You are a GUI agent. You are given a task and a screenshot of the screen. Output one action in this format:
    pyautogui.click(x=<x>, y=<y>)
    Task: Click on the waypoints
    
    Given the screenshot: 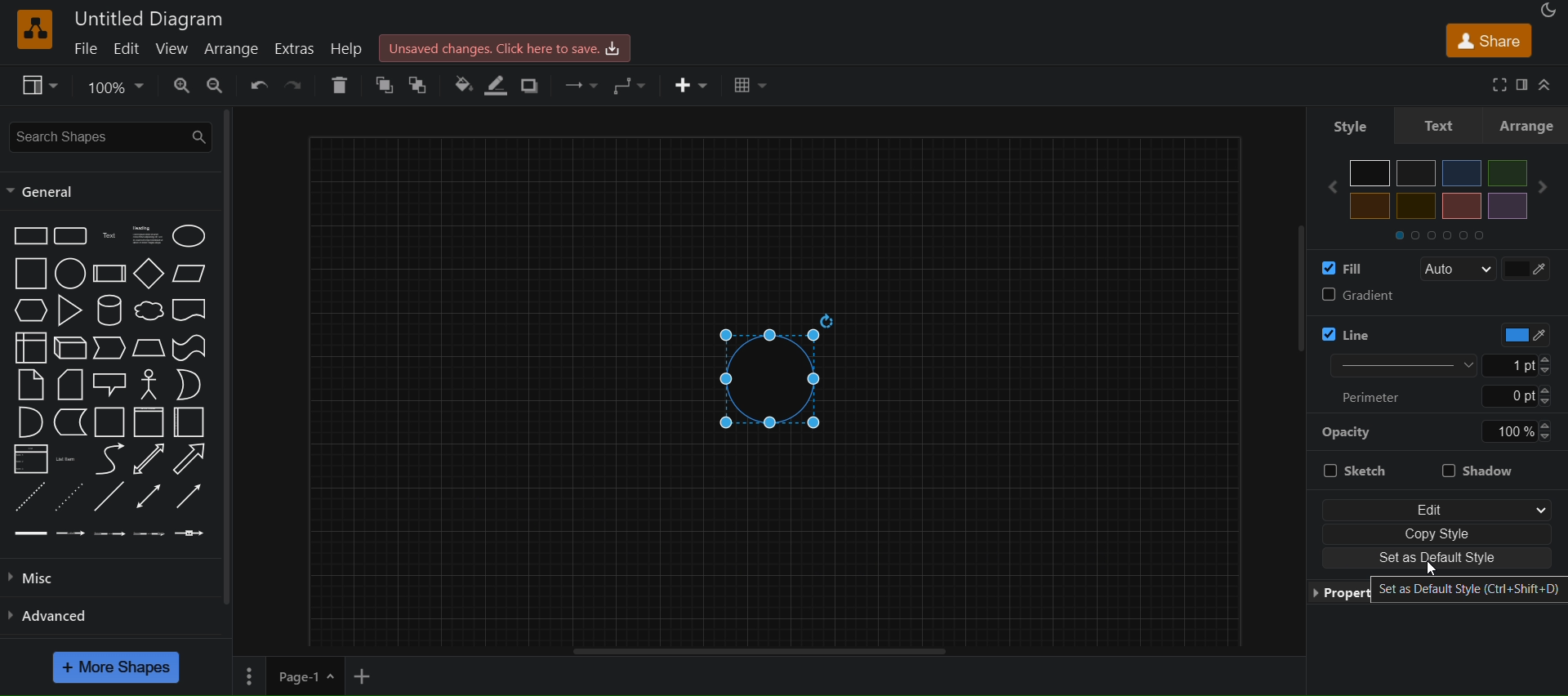 What is the action you would take?
    pyautogui.click(x=630, y=85)
    